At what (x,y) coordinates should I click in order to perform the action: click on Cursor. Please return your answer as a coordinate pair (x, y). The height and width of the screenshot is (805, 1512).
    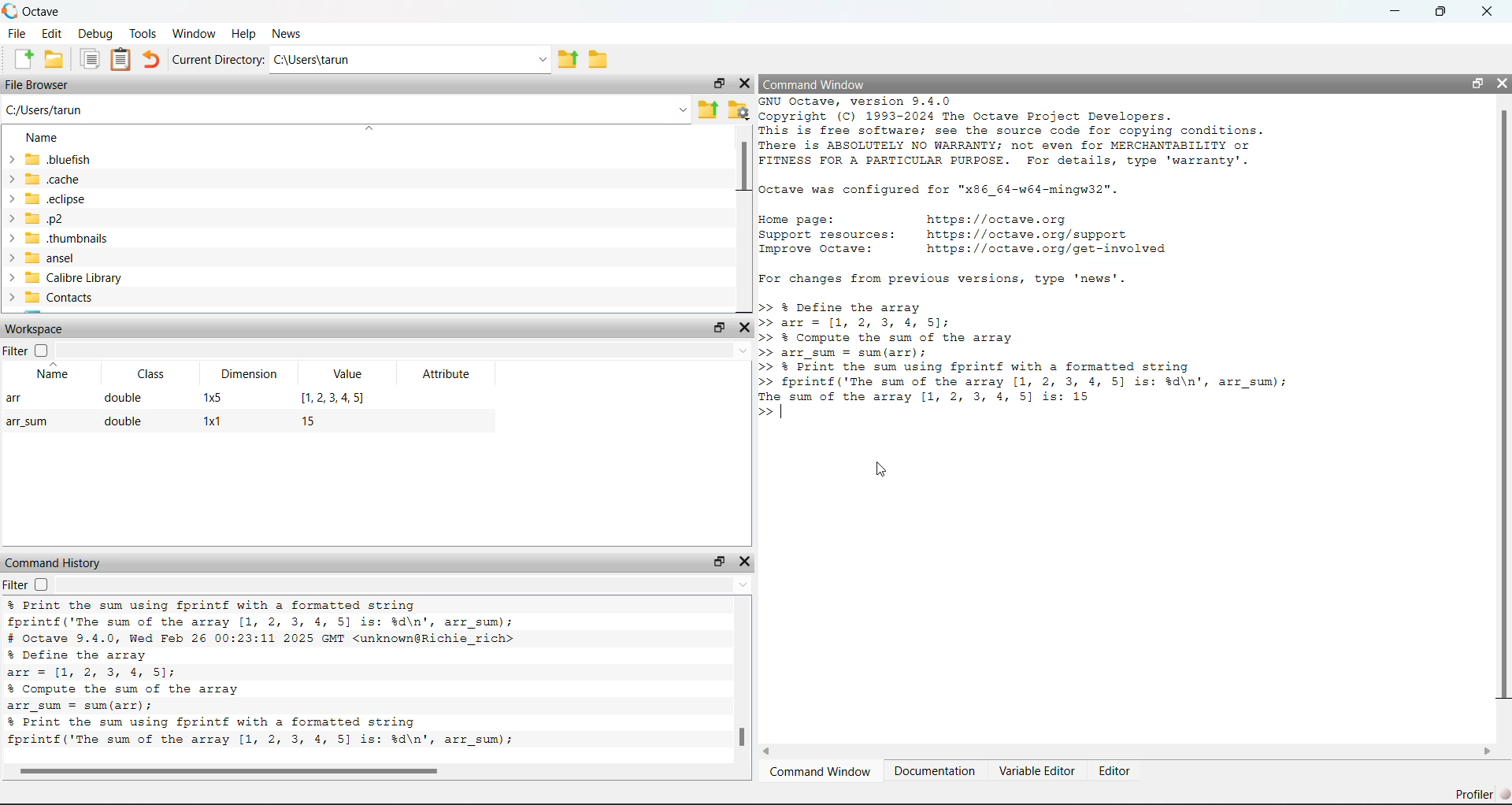
    Looking at the image, I should click on (888, 472).